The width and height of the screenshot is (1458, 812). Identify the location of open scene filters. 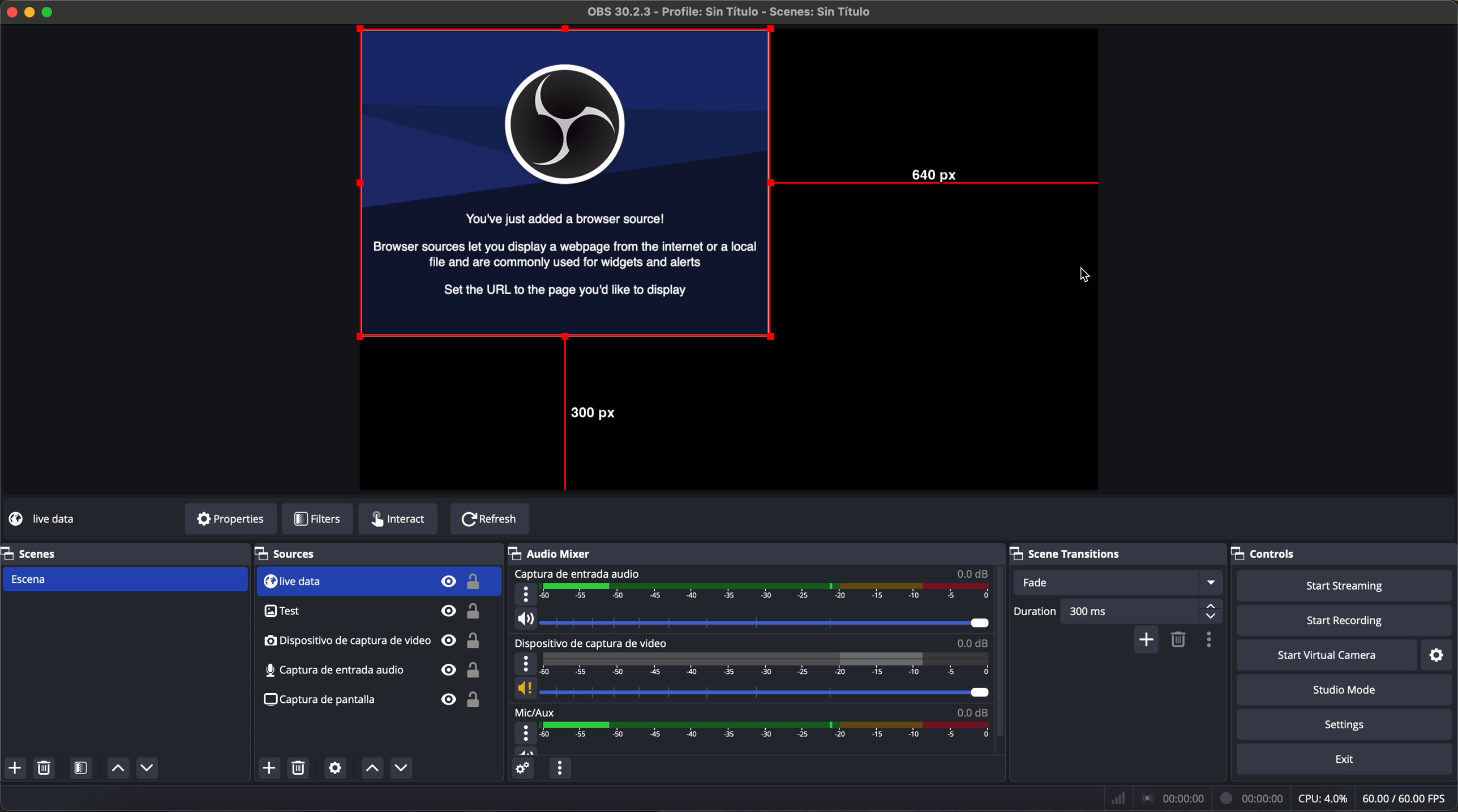
(80, 767).